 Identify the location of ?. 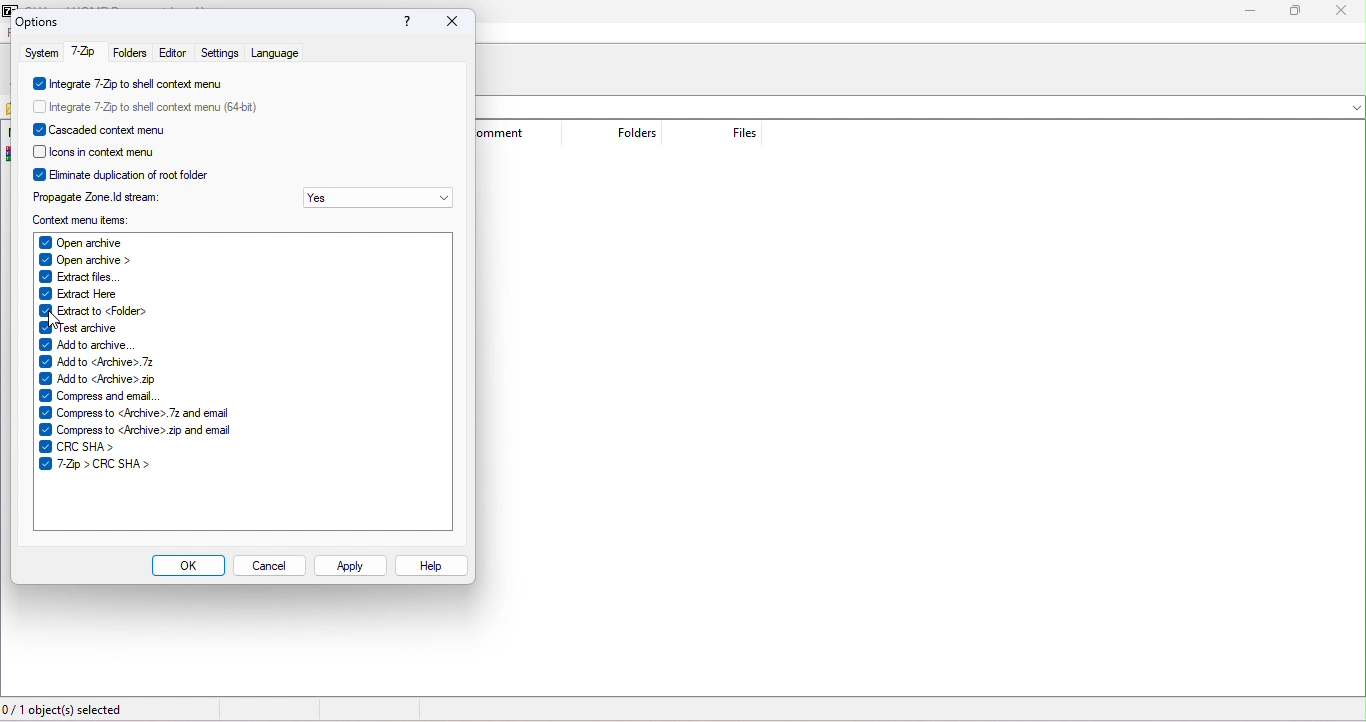
(402, 24).